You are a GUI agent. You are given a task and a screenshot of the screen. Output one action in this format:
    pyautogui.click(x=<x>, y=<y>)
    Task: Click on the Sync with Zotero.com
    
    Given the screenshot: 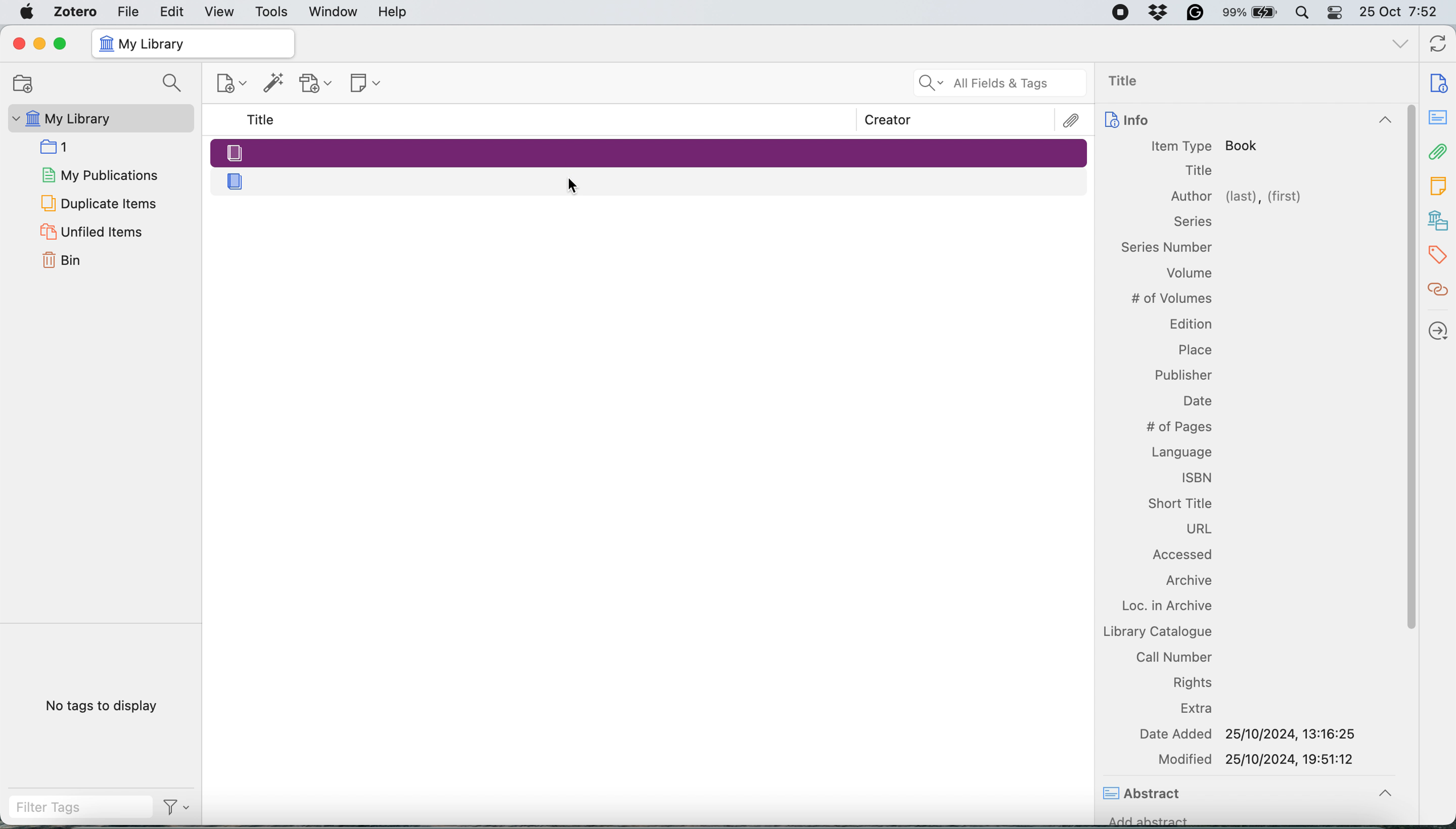 What is the action you would take?
    pyautogui.click(x=1439, y=46)
    